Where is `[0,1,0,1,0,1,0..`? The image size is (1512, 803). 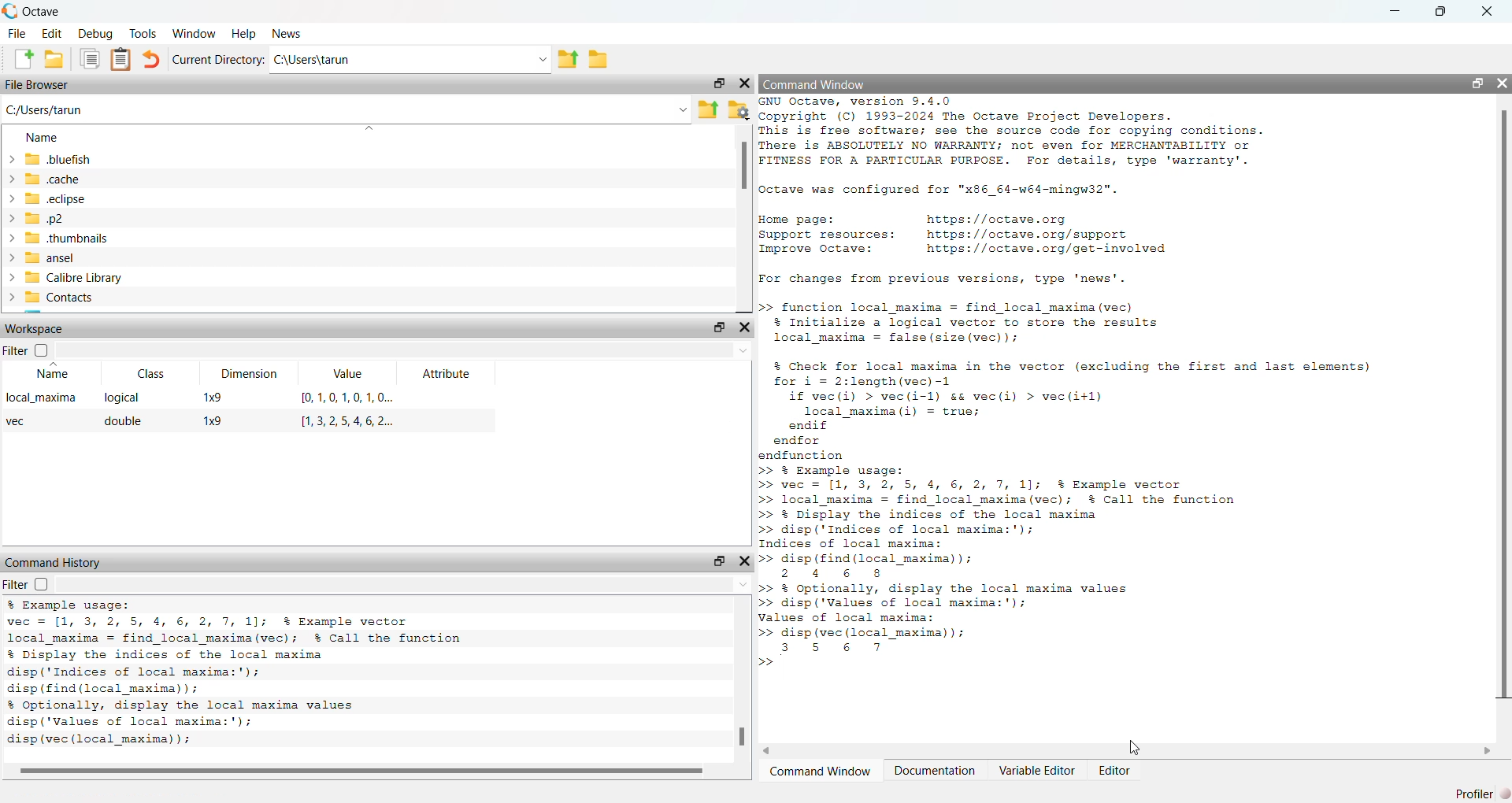
[0,1,0,1,0,1,0.. is located at coordinates (349, 398).